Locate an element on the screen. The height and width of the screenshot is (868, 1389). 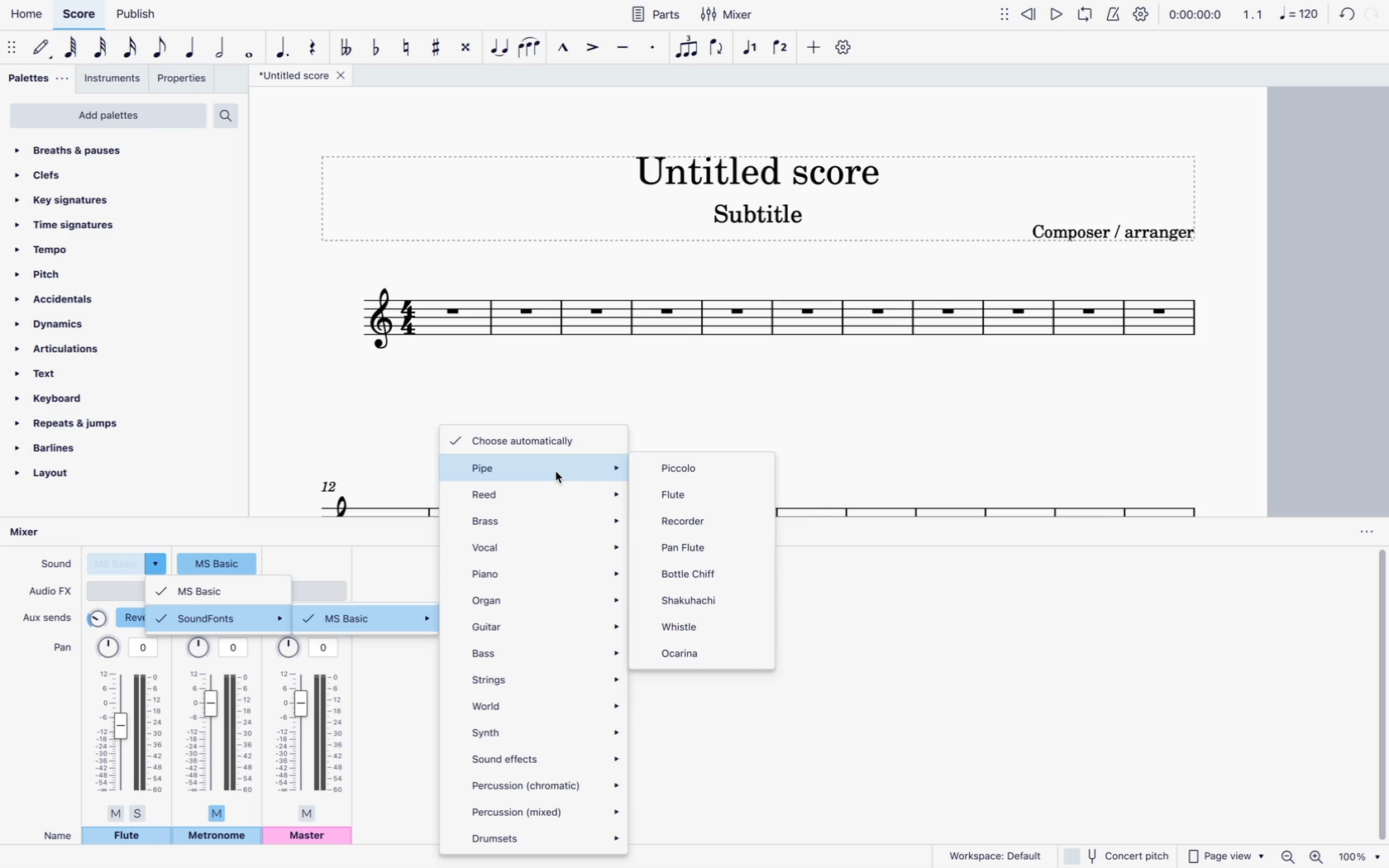
composer / arranger is located at coordinates (1115, 231).